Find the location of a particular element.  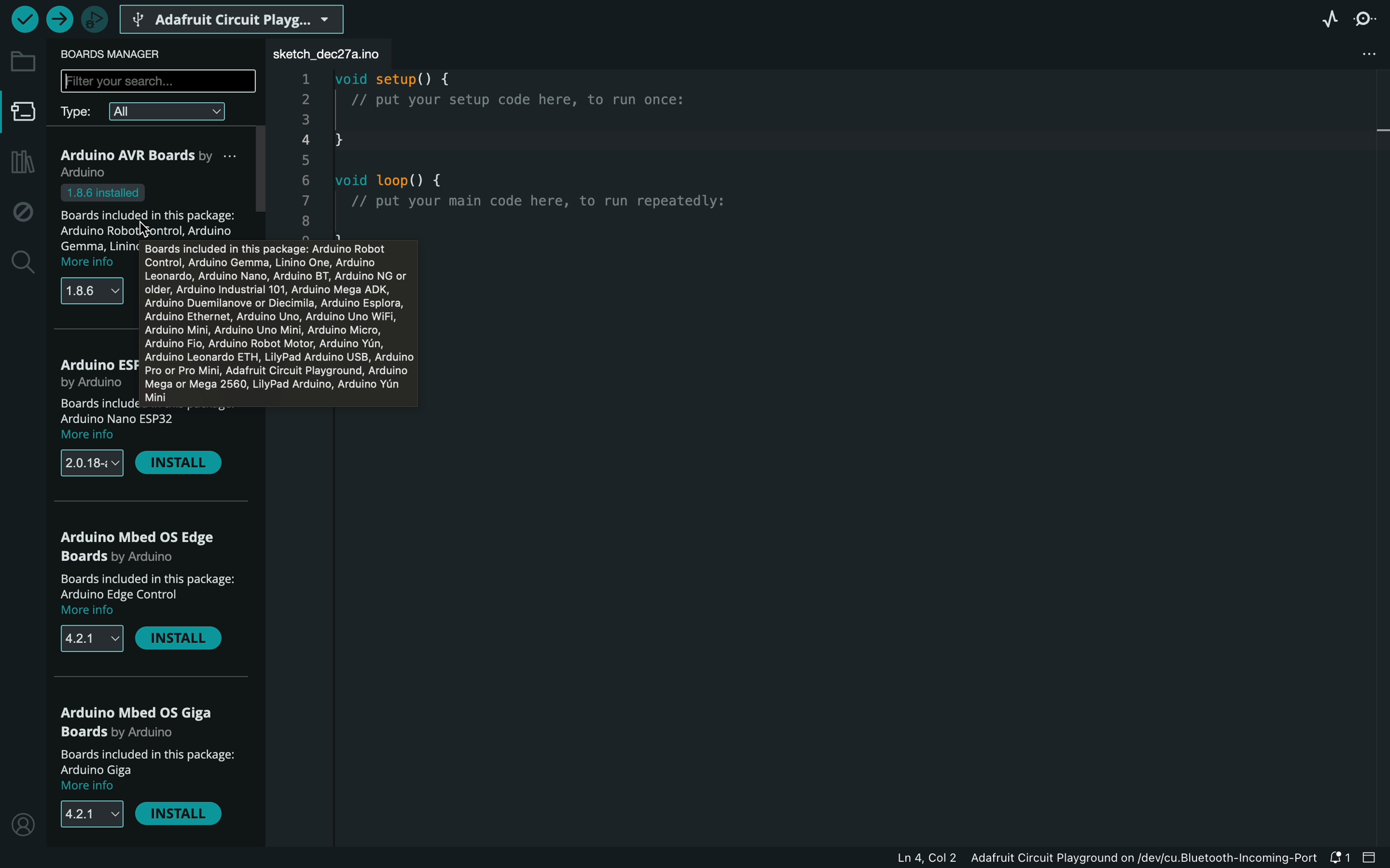

verify is located at coordinates (23, 20).